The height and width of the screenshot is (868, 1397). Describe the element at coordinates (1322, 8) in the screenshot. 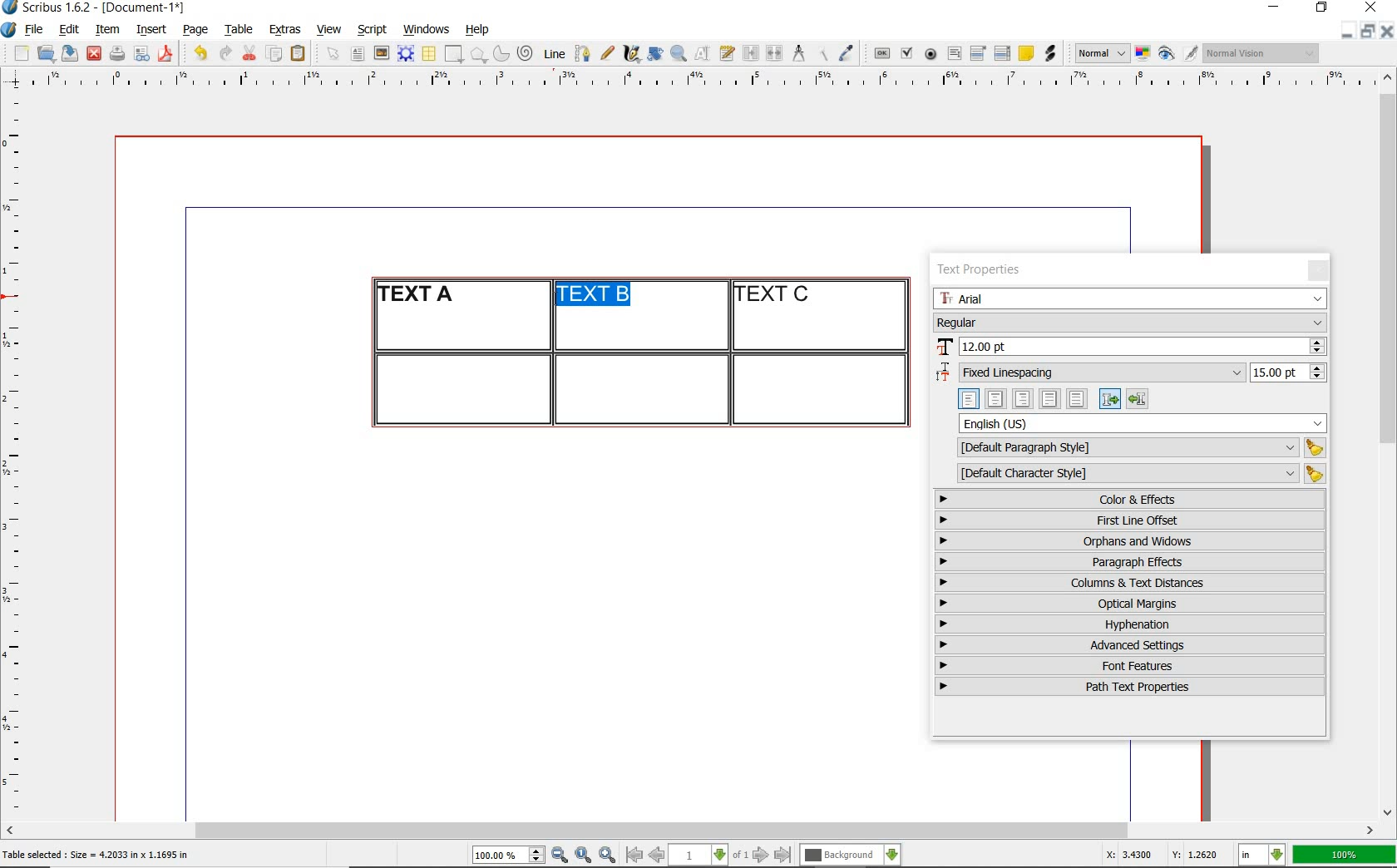

I see `restore` at that location.